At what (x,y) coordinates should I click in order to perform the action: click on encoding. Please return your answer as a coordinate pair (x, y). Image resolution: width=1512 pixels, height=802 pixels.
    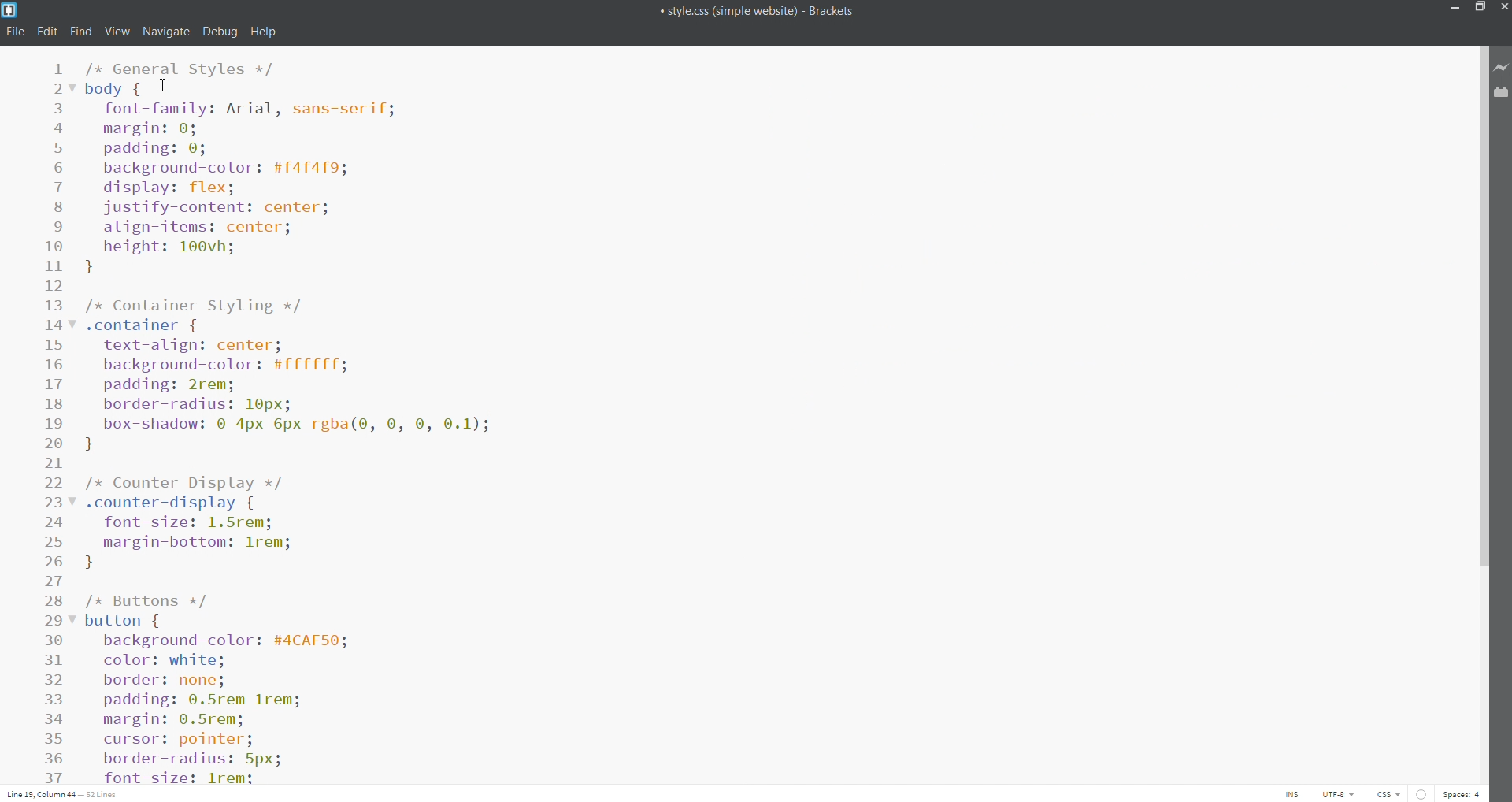
    Looking at the image, I should click on (1336, 793).